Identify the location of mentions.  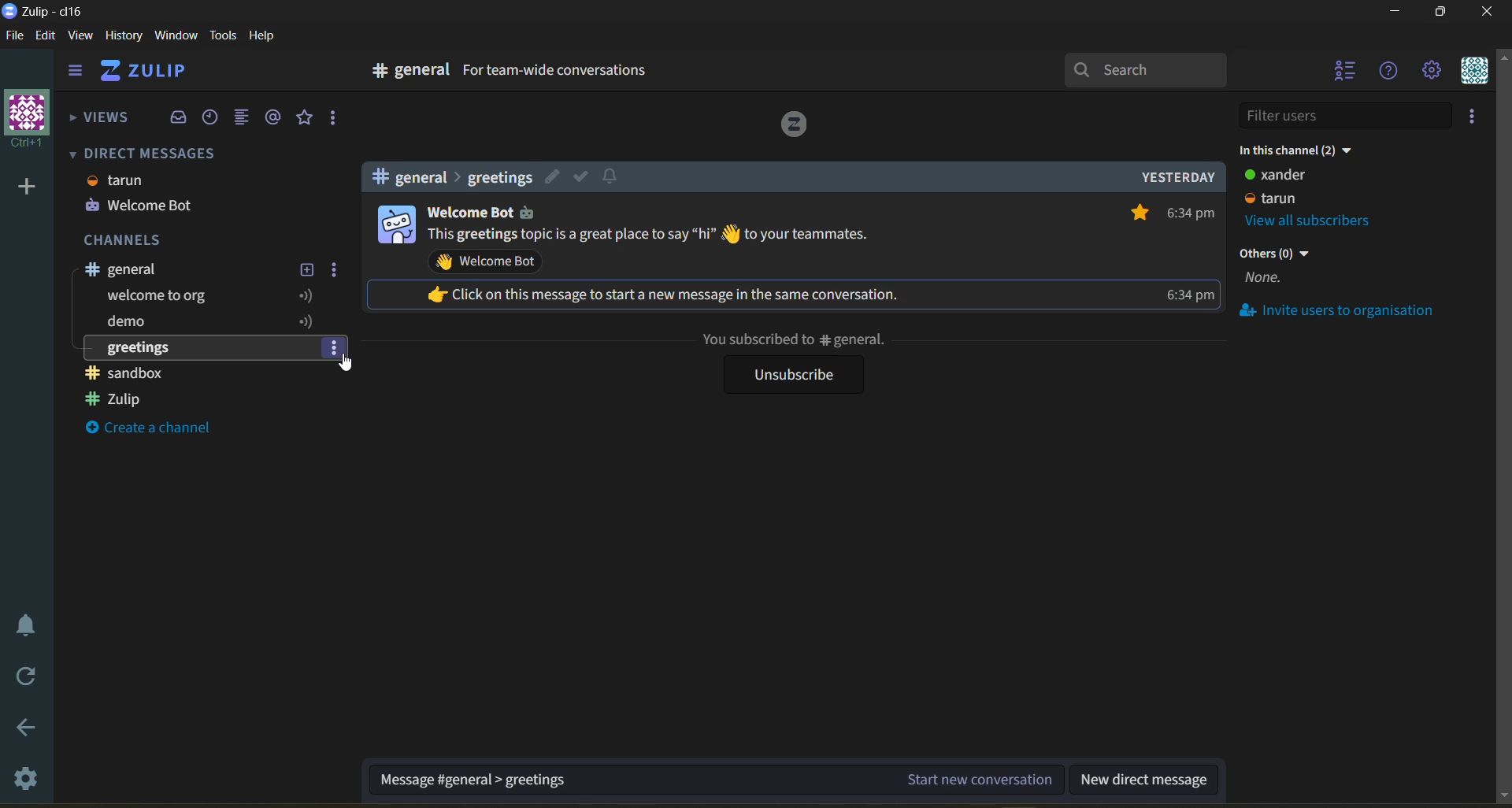
(277, 117).